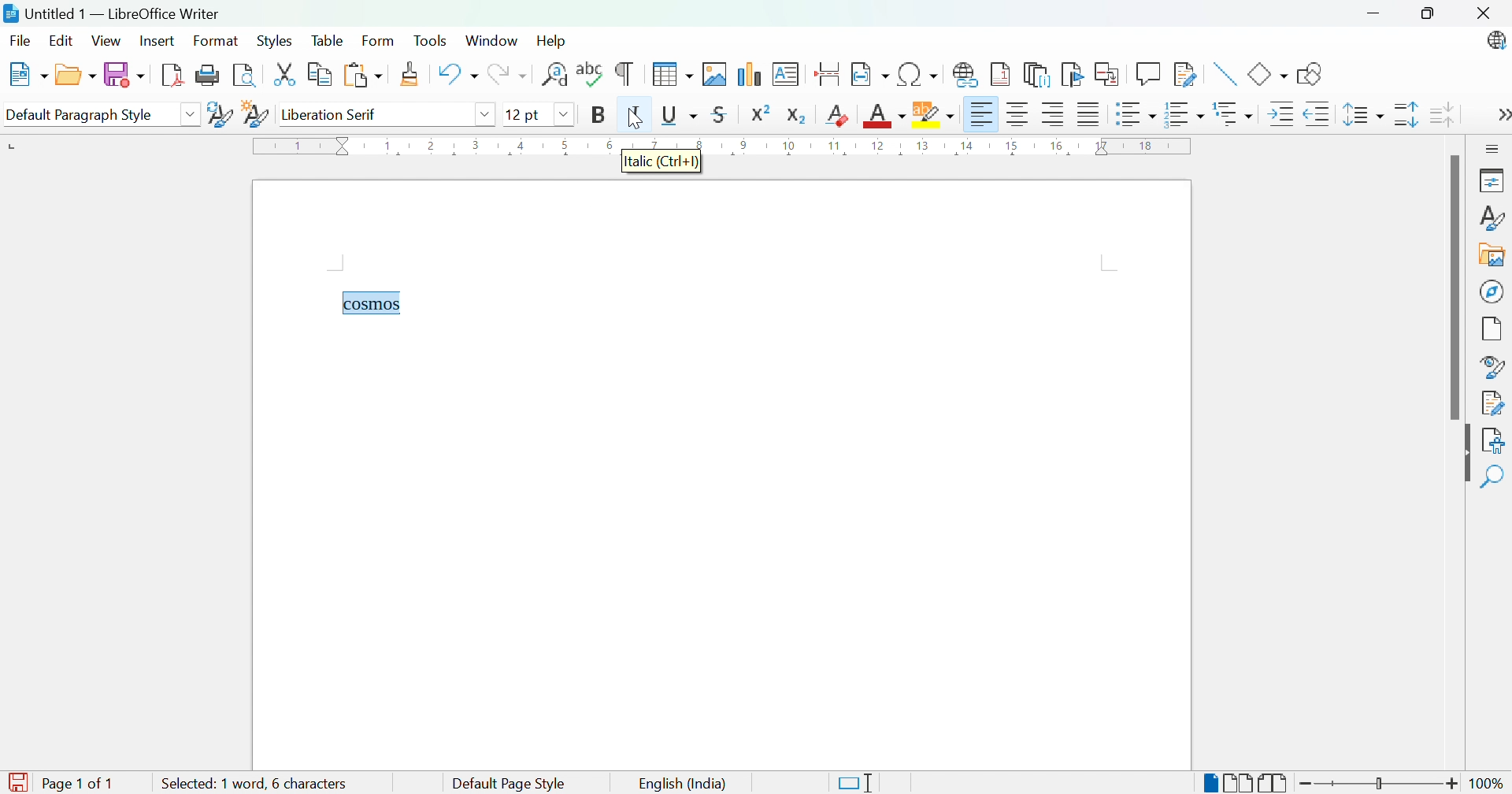  What do you see at coordinates (1021, 117) in the screenshot?
I see `Align center` at bounding box center [1021, 117].